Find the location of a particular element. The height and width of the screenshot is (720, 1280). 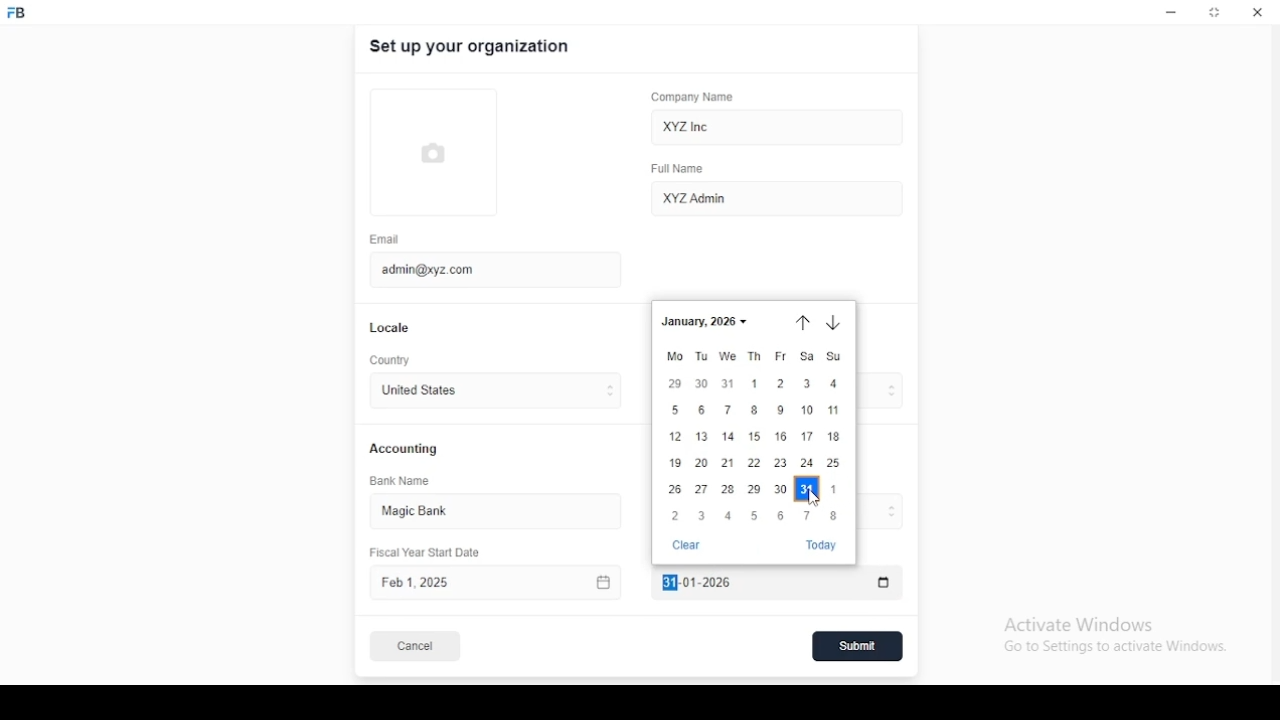

bank name is located at coordinates (401, 481).